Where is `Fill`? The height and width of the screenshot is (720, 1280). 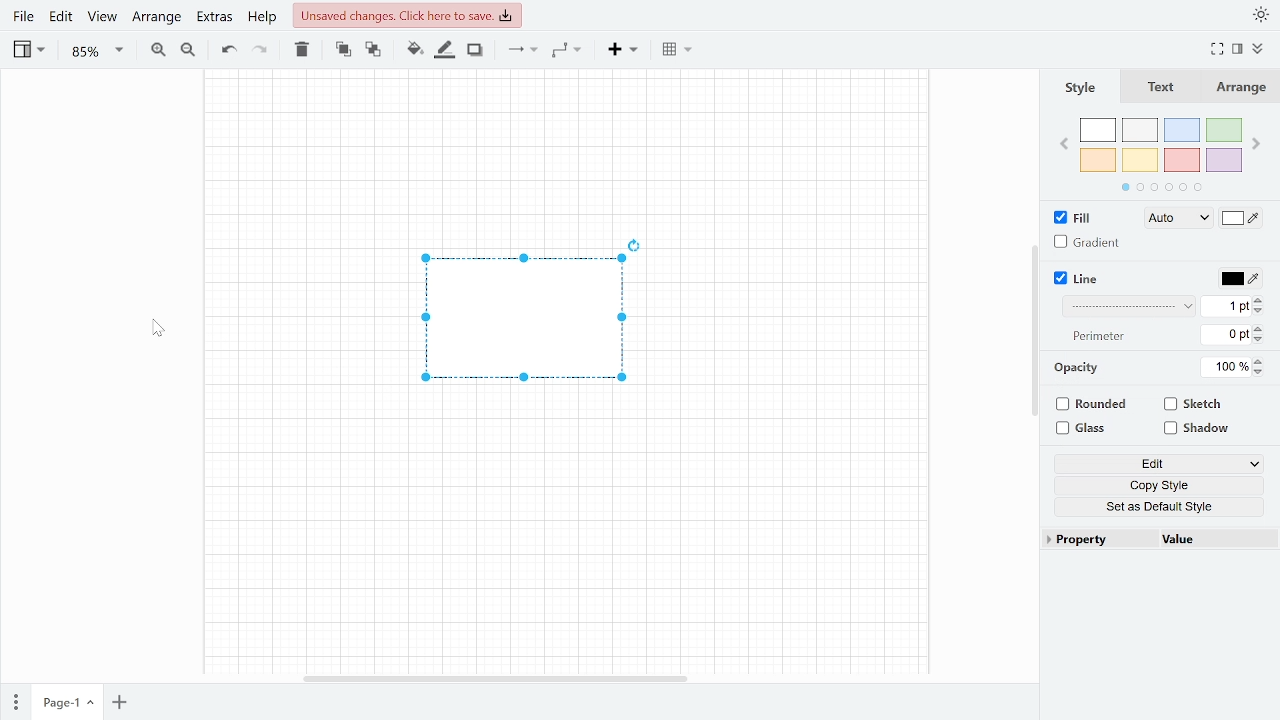 Fill is located at coordinates (1074, 216).